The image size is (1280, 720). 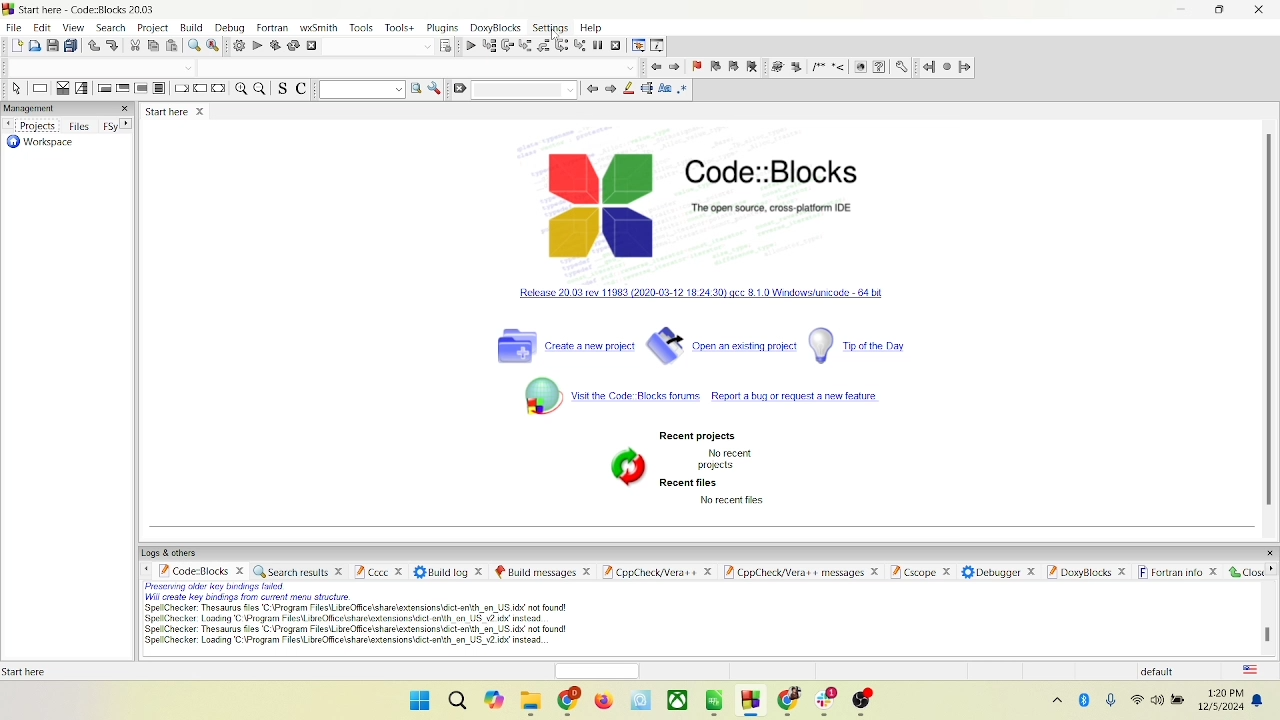 I want to click on open, so click(x=35, y=45).